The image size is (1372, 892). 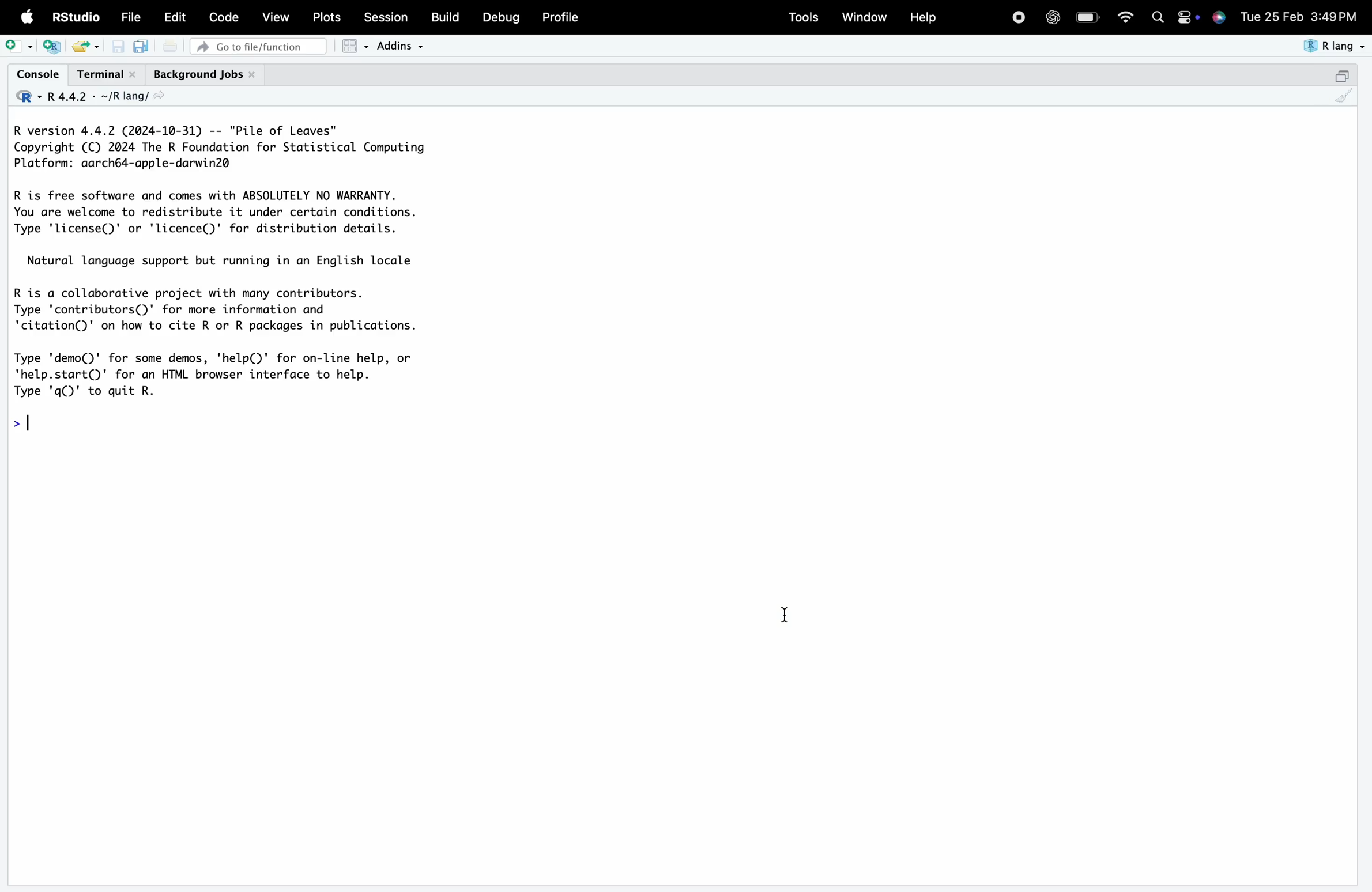 I want to click on Help, so click(x=922, y=17).